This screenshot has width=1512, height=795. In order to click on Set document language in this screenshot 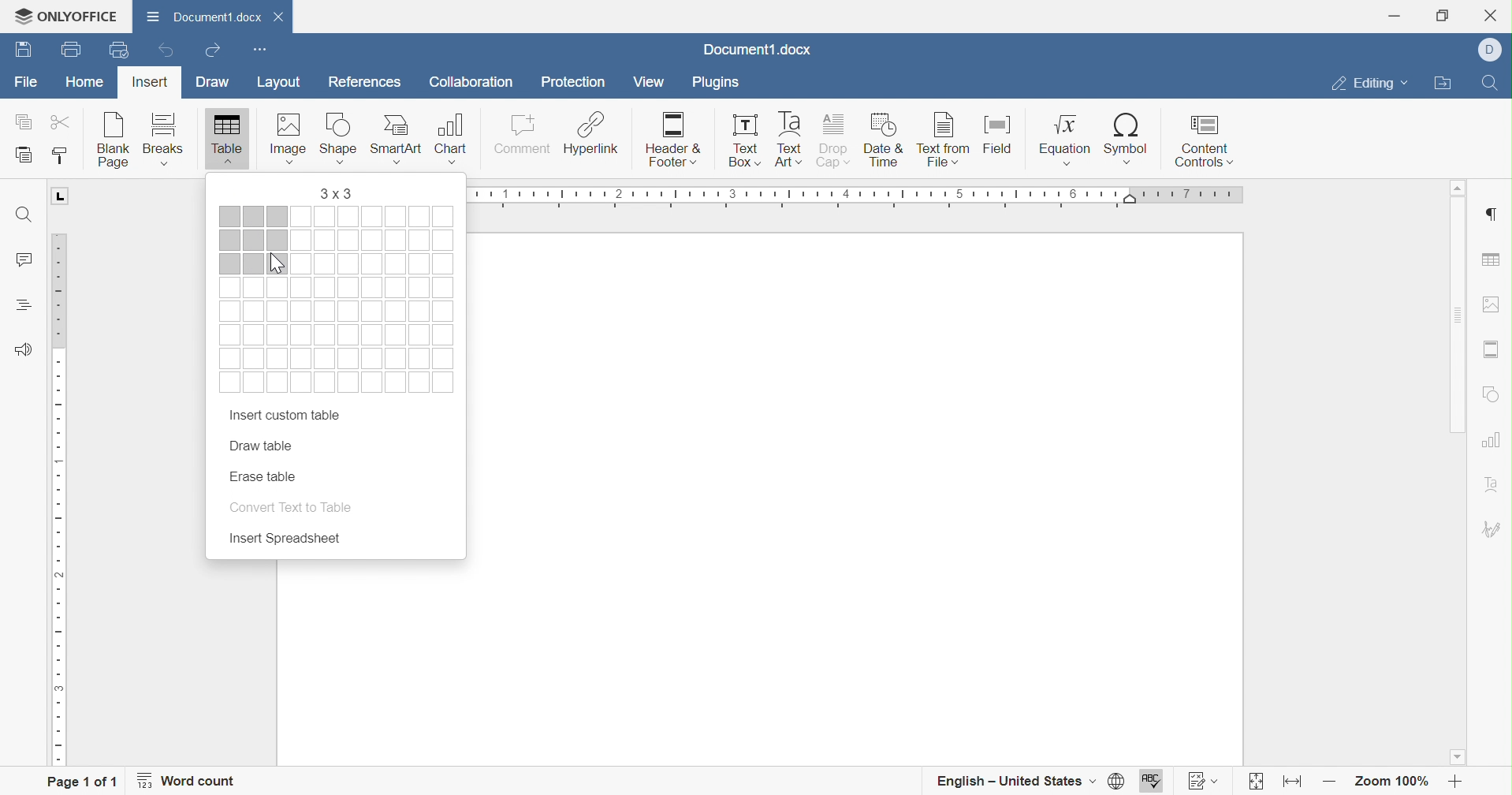, I will do `click(1118, 779)`.